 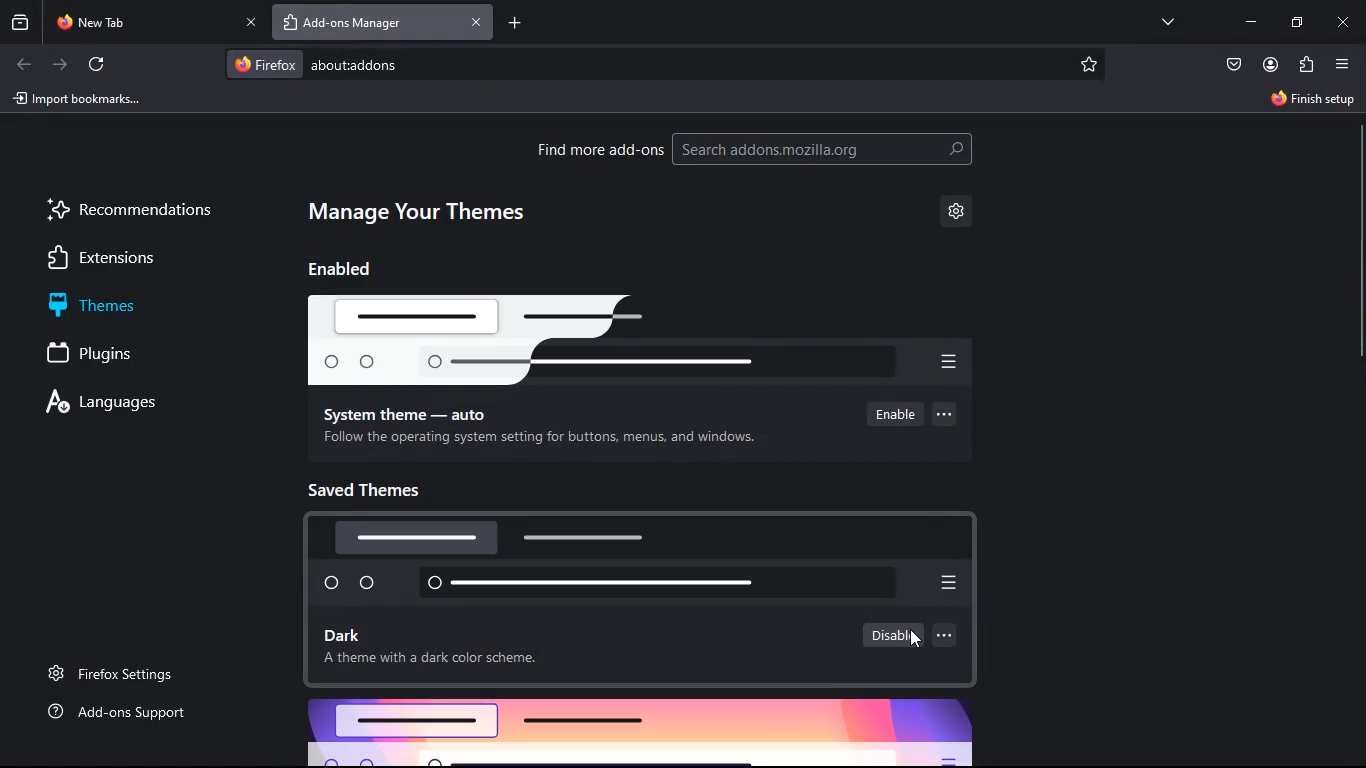 I want to click on description, so click(x=439, y=663).